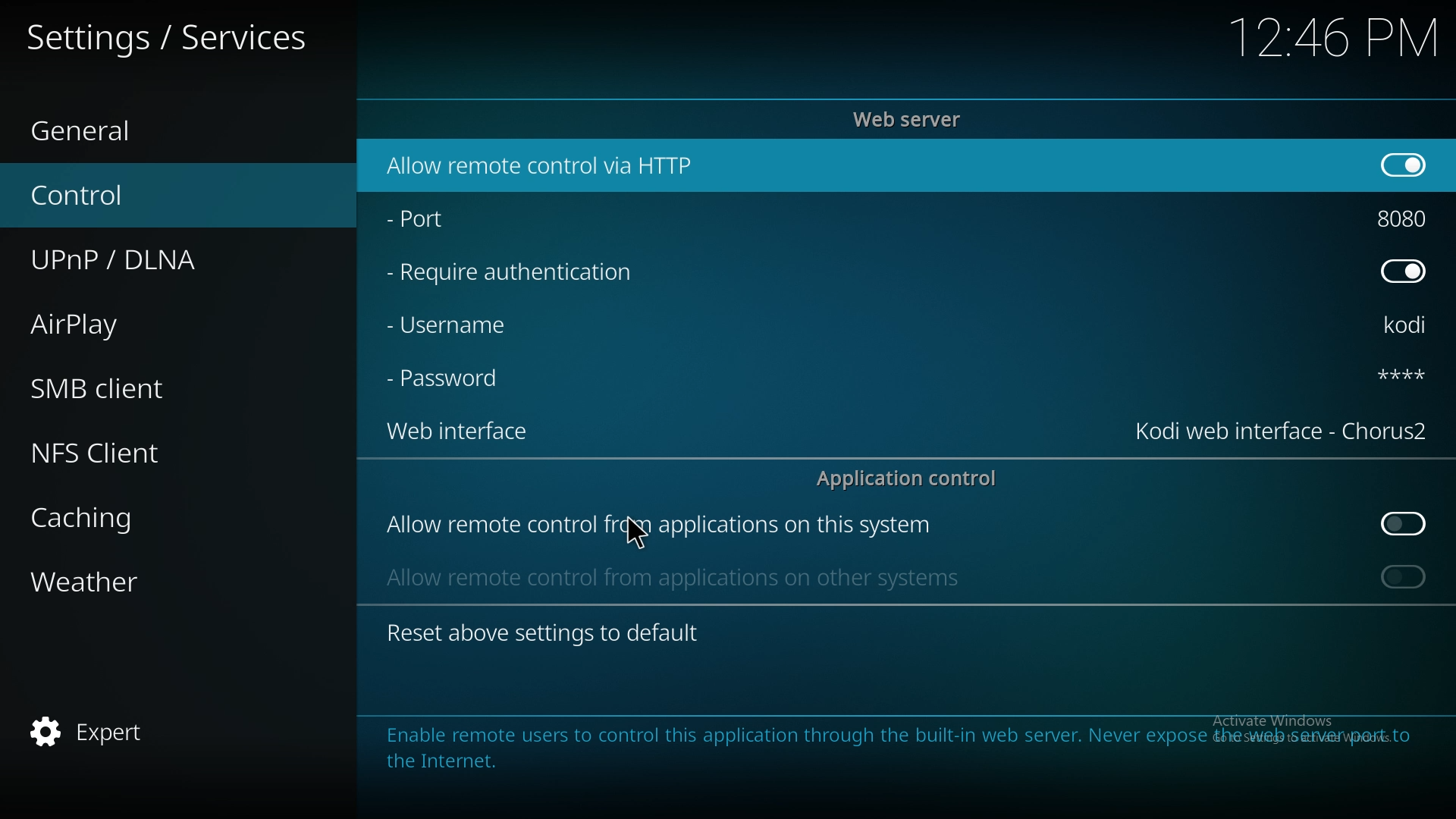  Describe the element at coordinates (915, 478) in the screenshot. I see `application control` at that location.